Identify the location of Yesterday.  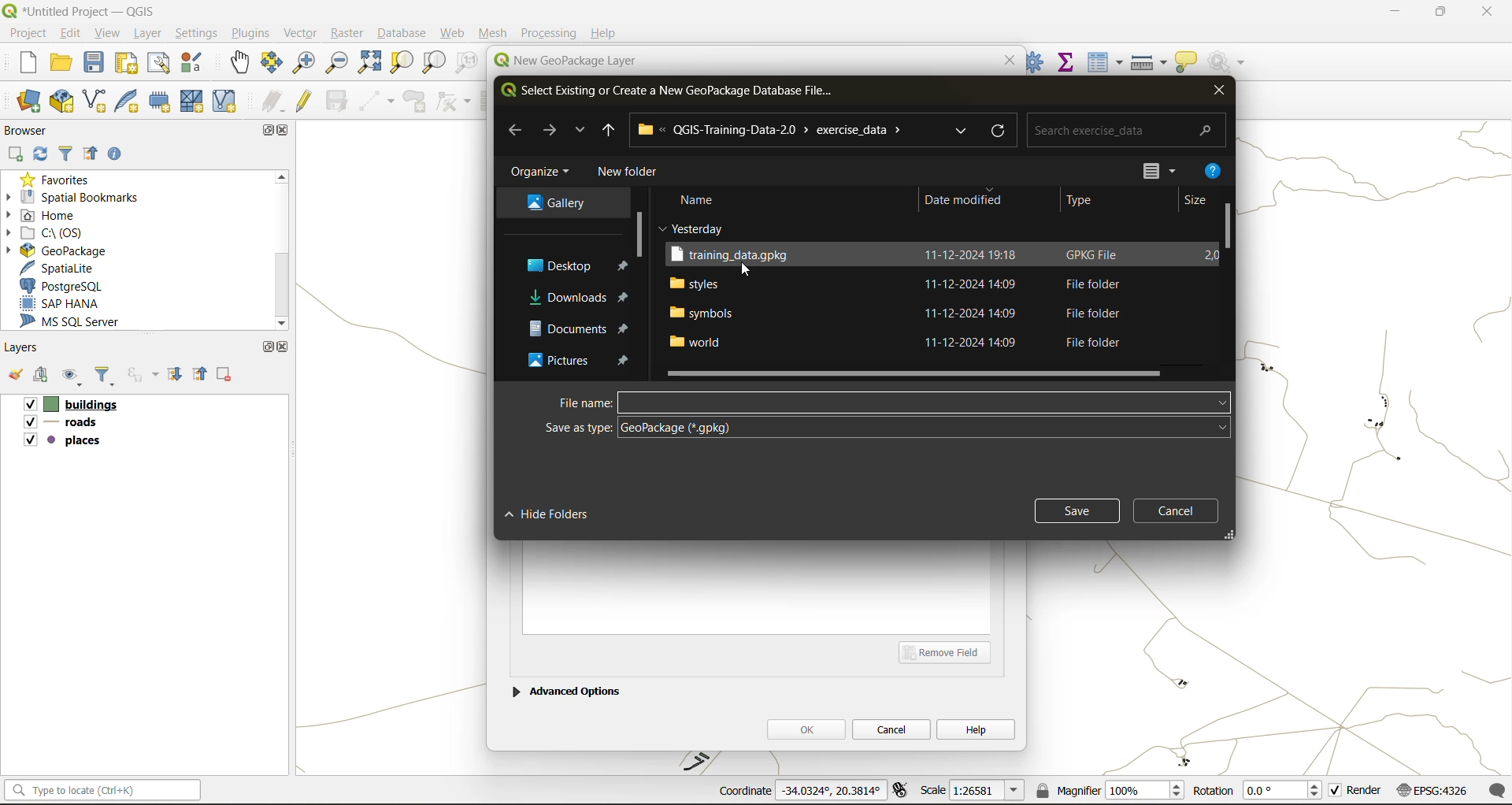
(684, 227).